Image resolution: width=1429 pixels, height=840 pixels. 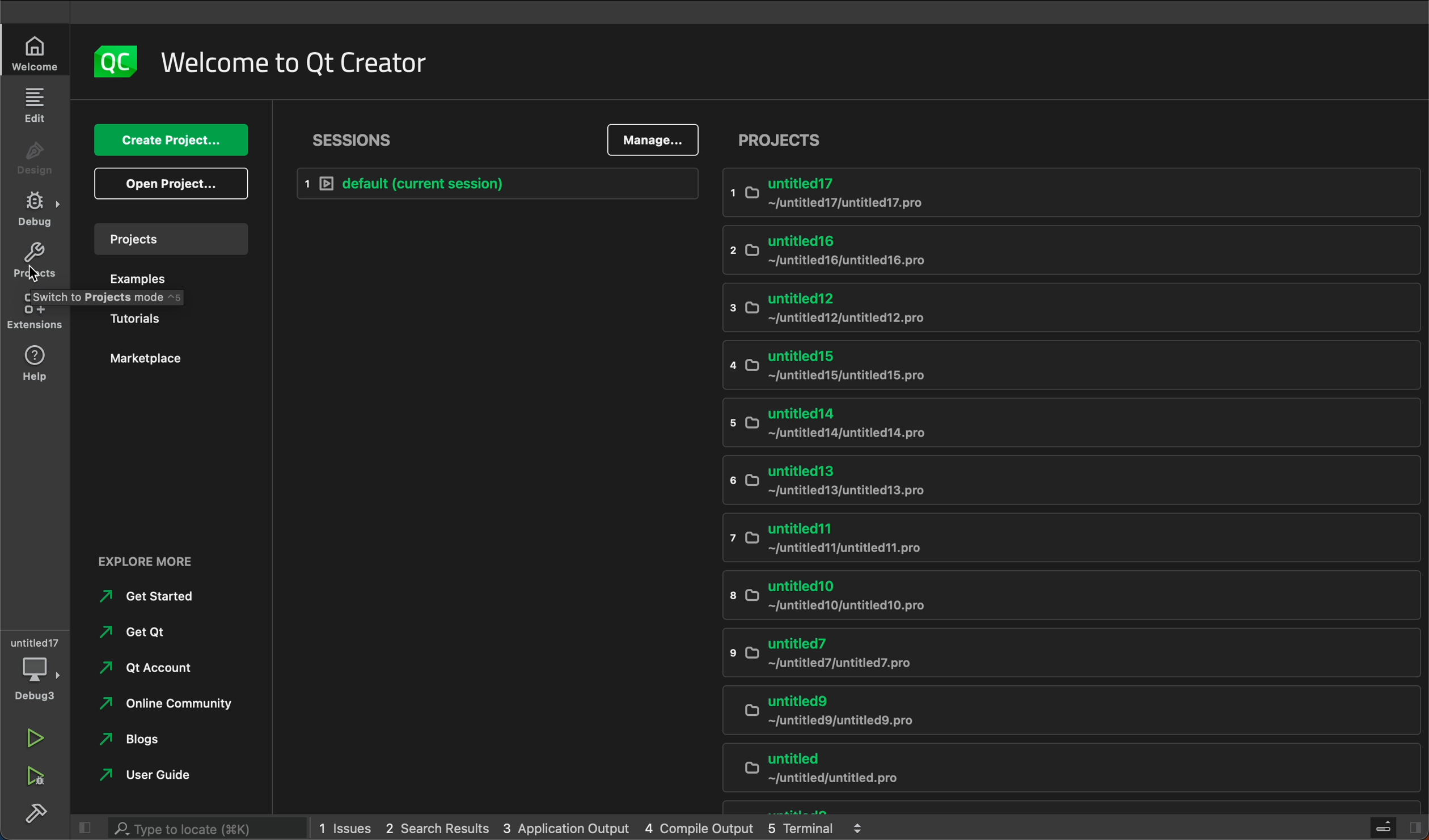 I want to click on terminal, so click(x=825, y=828).